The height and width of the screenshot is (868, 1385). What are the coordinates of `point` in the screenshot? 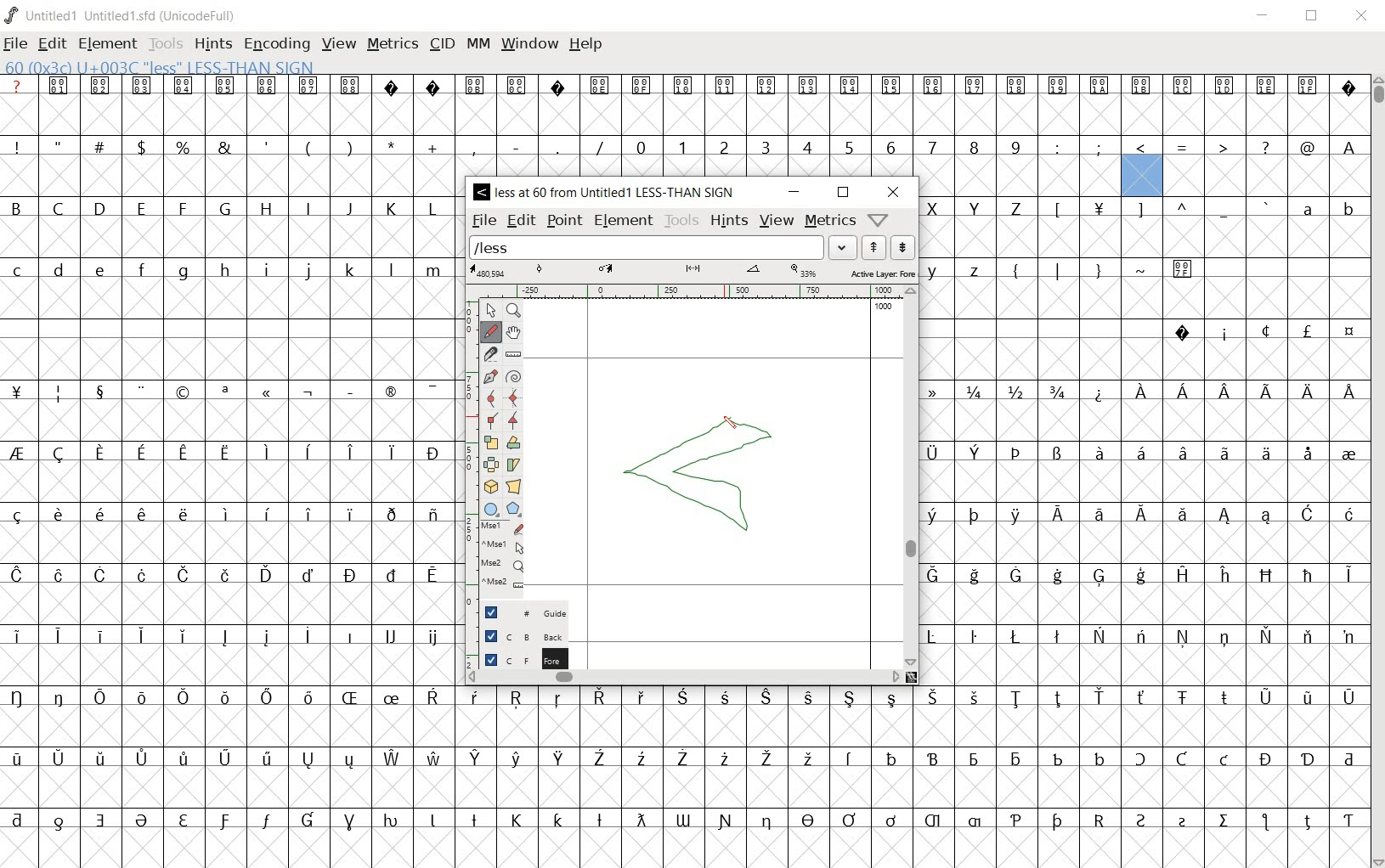 It's located at (564, 221).